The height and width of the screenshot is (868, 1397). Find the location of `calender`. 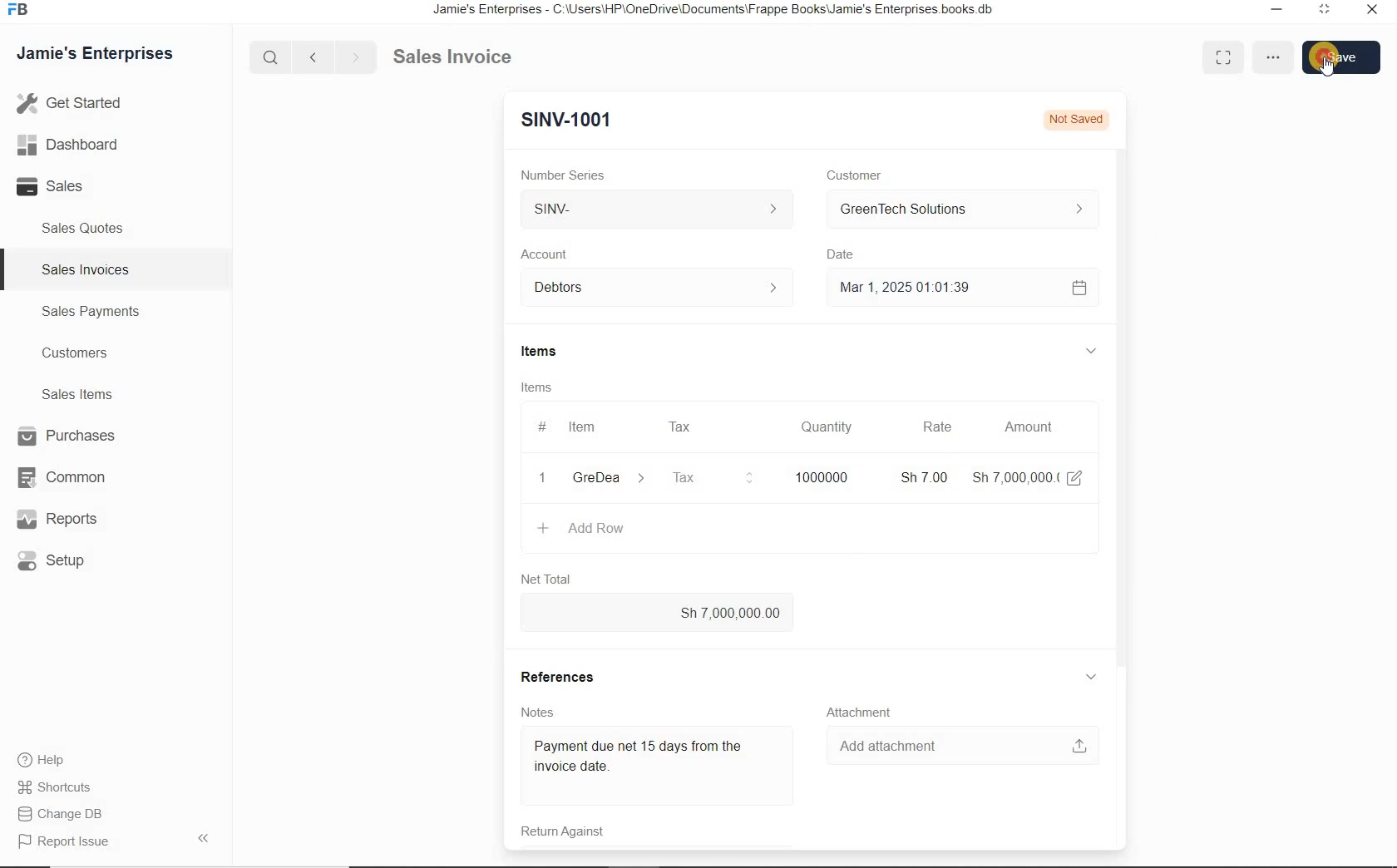

calender is located at coordinates (1078, 287).